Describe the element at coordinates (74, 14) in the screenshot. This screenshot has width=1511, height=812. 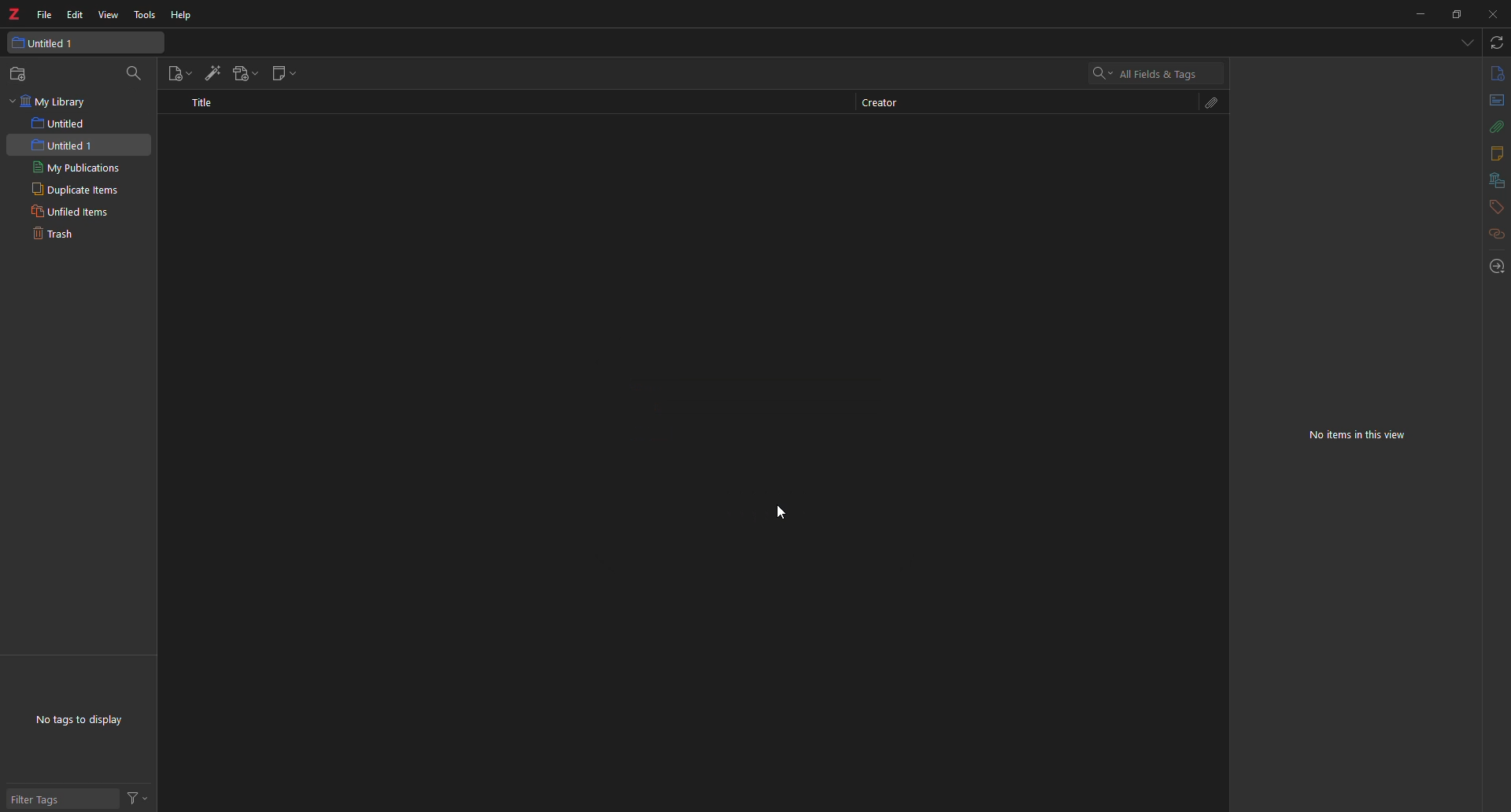
I see `edit` at that location.